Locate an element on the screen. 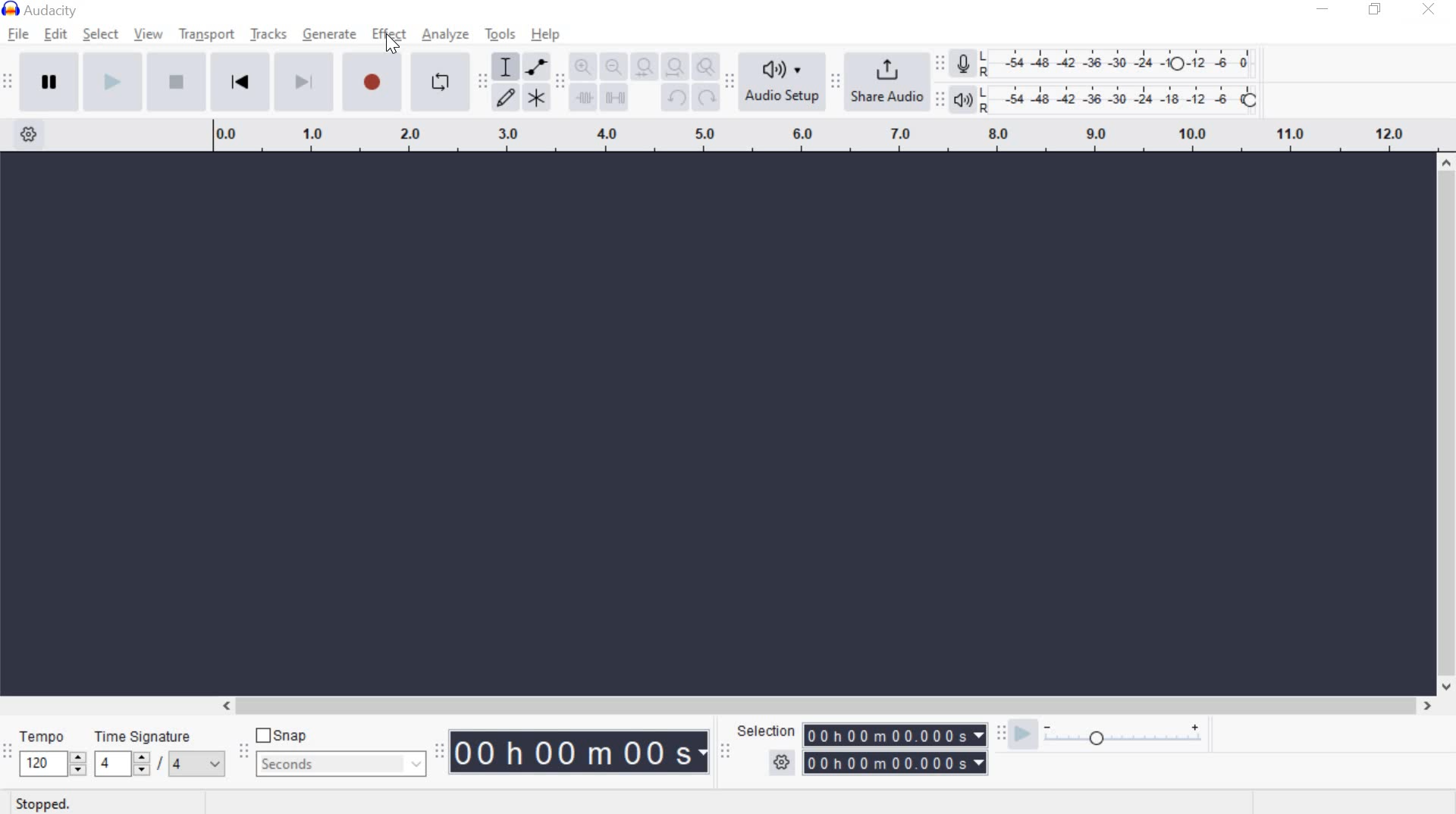  Multi-Tool is located at coordinates (538, 98).